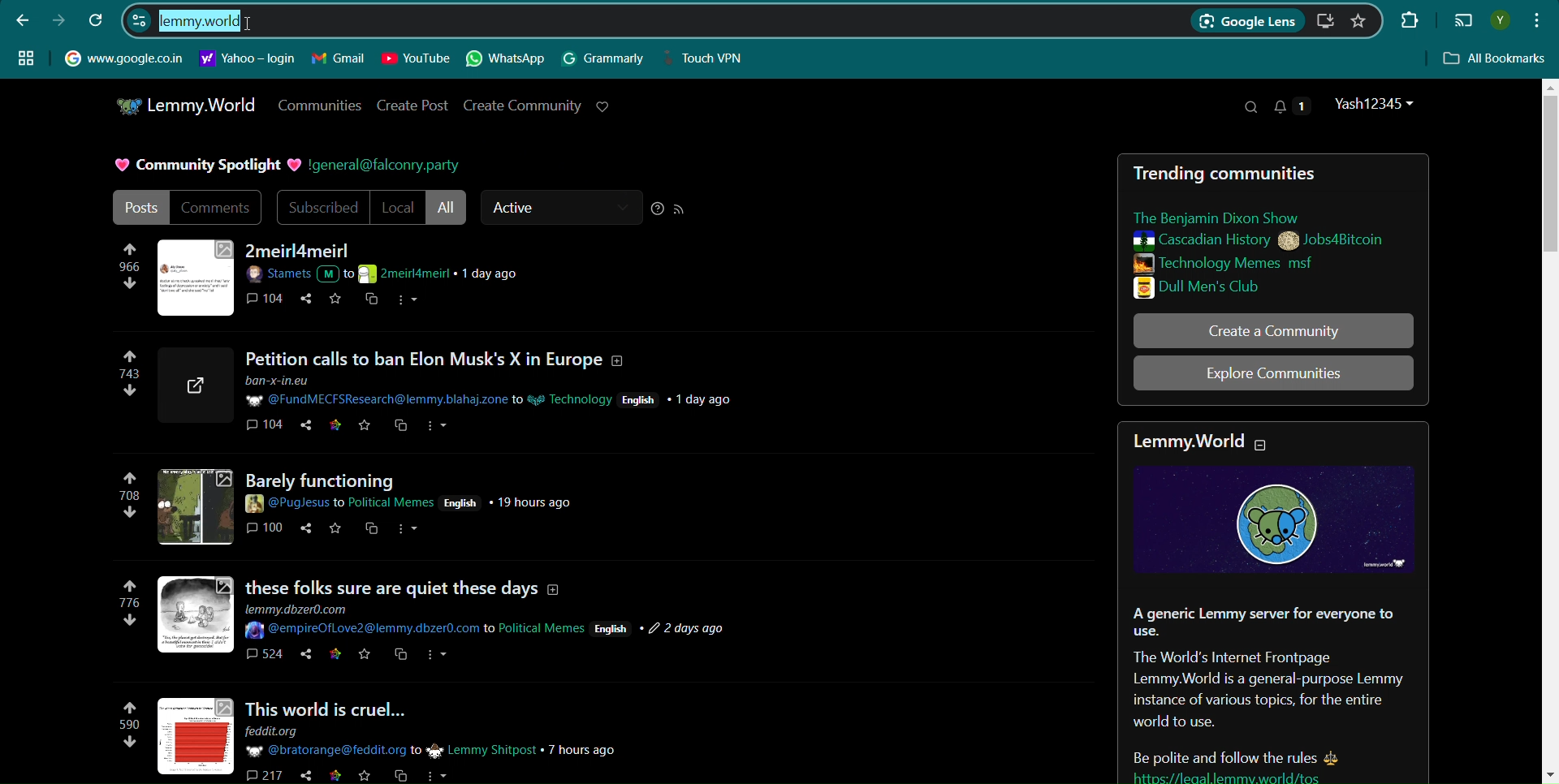 Image resolution: width=1559 pixels, height=784 pixels. Describe the element at coordinates (1500, 20) in the screenshot. I see `Profile` at that location.